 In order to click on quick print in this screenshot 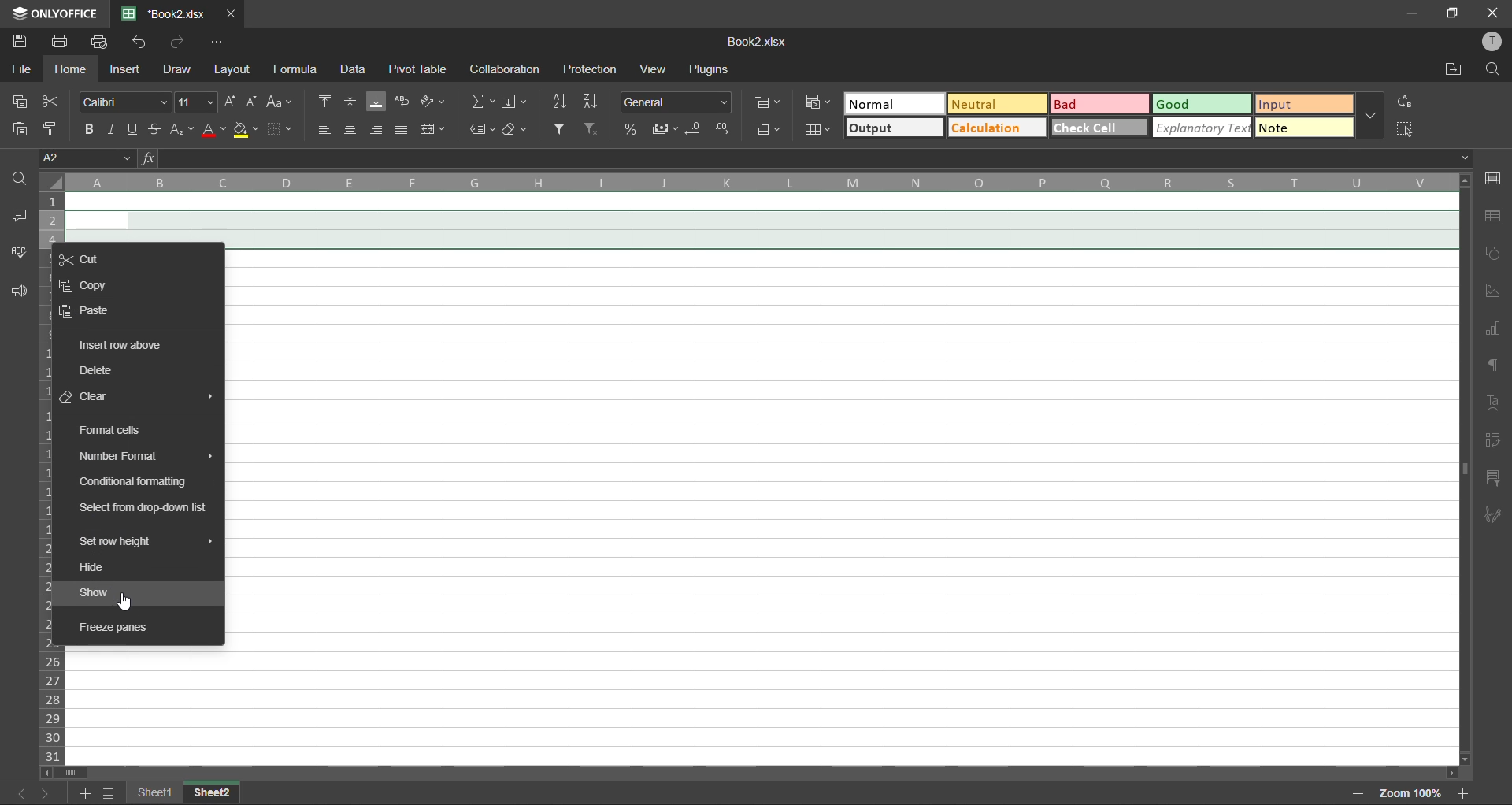, I will do `click(106, 43)`.